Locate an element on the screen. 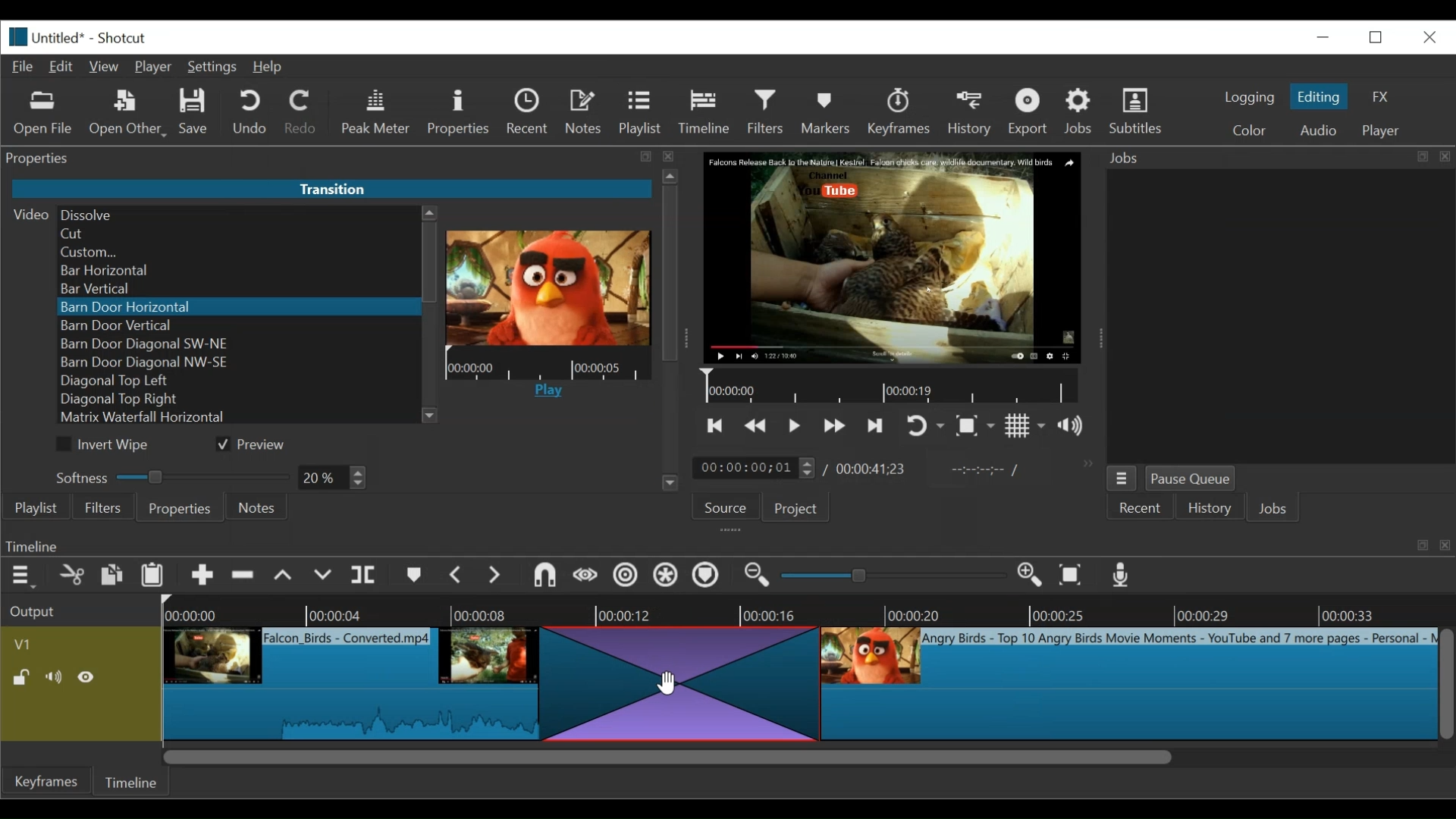 This screenshot has height=819, width=1456. Adjust Softness Slider is located at coordinates (166, 474).